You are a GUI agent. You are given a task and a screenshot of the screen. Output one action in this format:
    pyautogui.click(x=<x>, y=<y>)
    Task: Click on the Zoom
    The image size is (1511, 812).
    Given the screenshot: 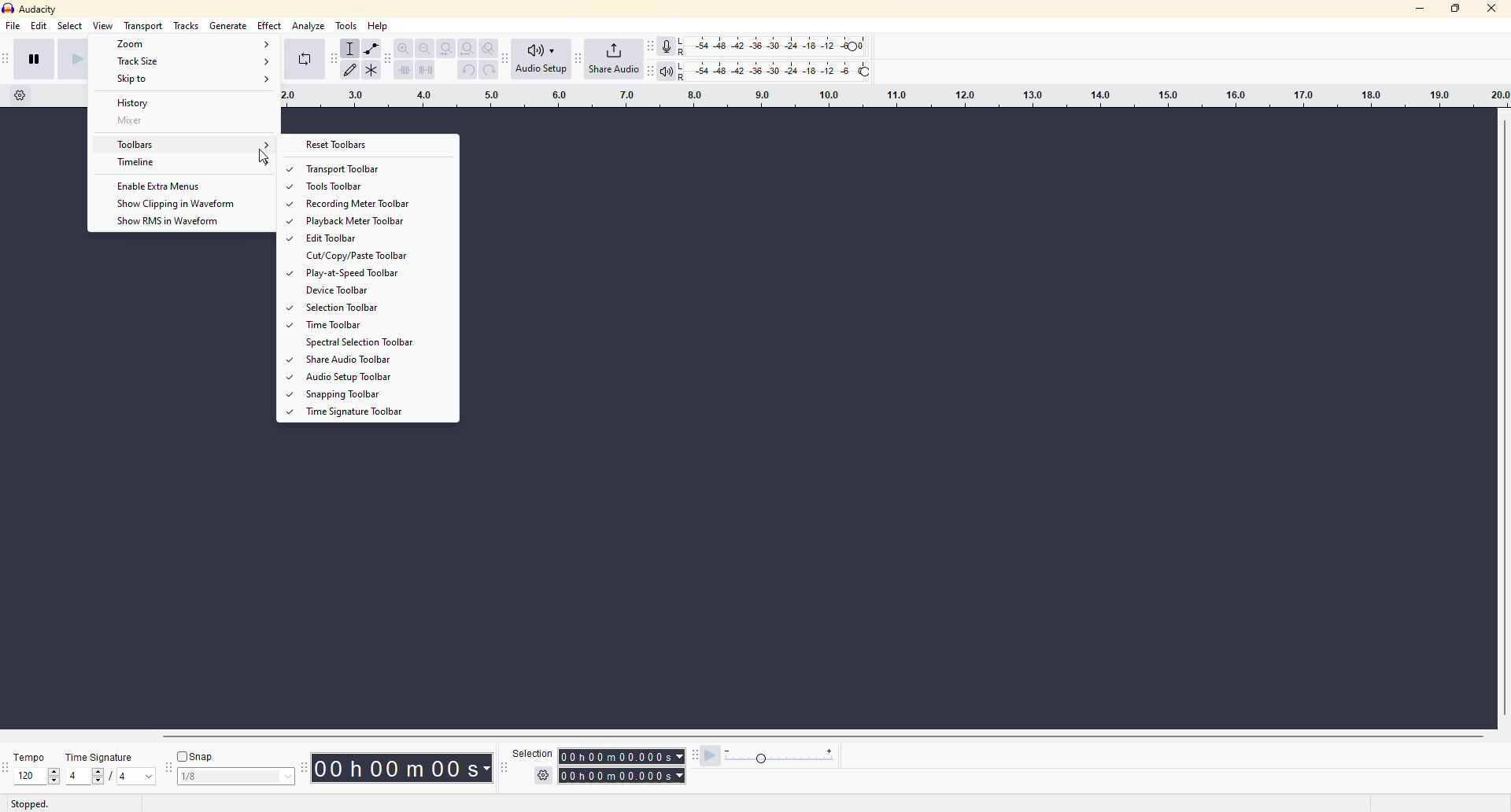 What is the action you would take?
    pyautogui.click(x=192, y=46)
    